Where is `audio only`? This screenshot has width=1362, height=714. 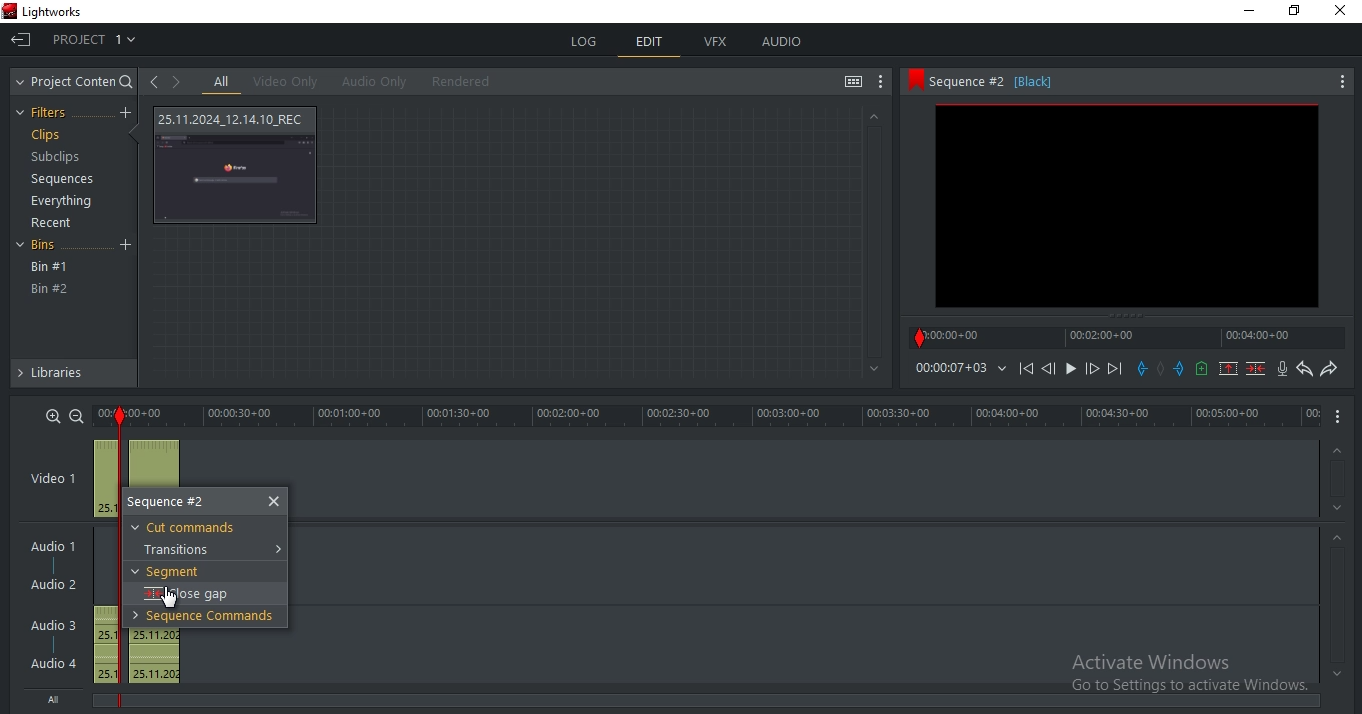 audio only is located at coordinates (371, 82).